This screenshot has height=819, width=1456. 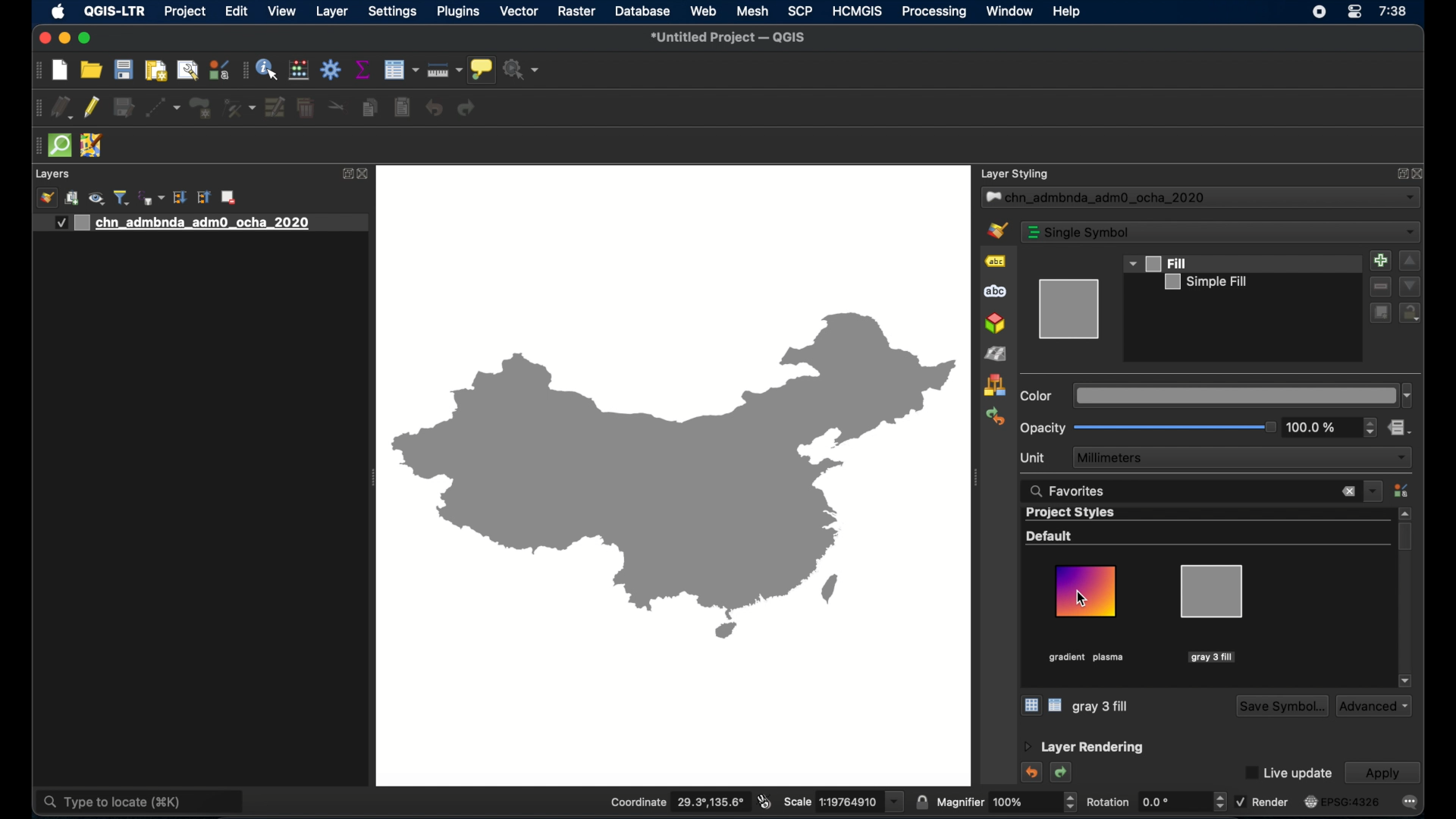 What do you see at coordinates (239, 108) in the screenshot?
I see `vertex tool` at bounding box center [239, 108].